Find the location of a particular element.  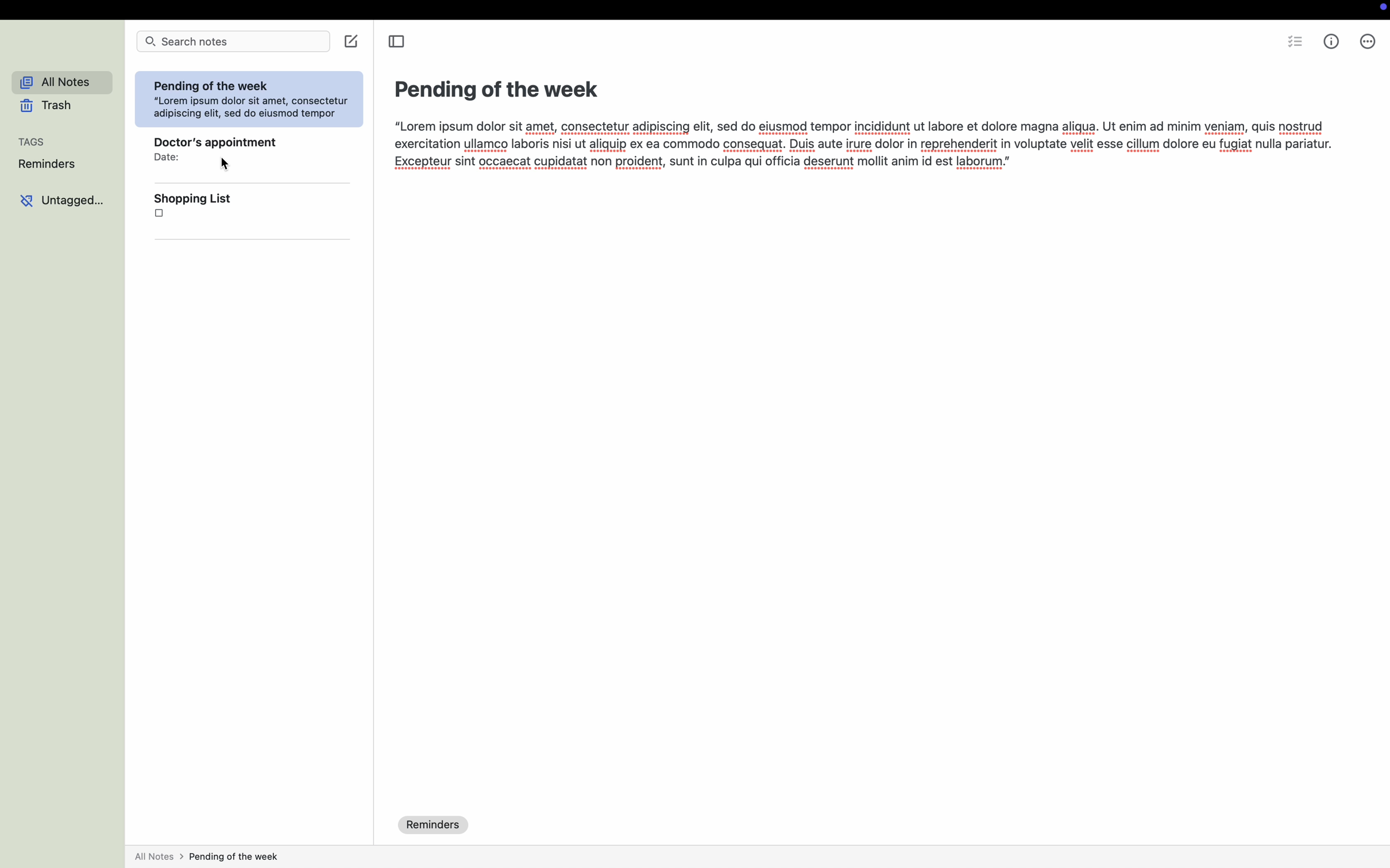

search bar is located at coordinates (234, 41).